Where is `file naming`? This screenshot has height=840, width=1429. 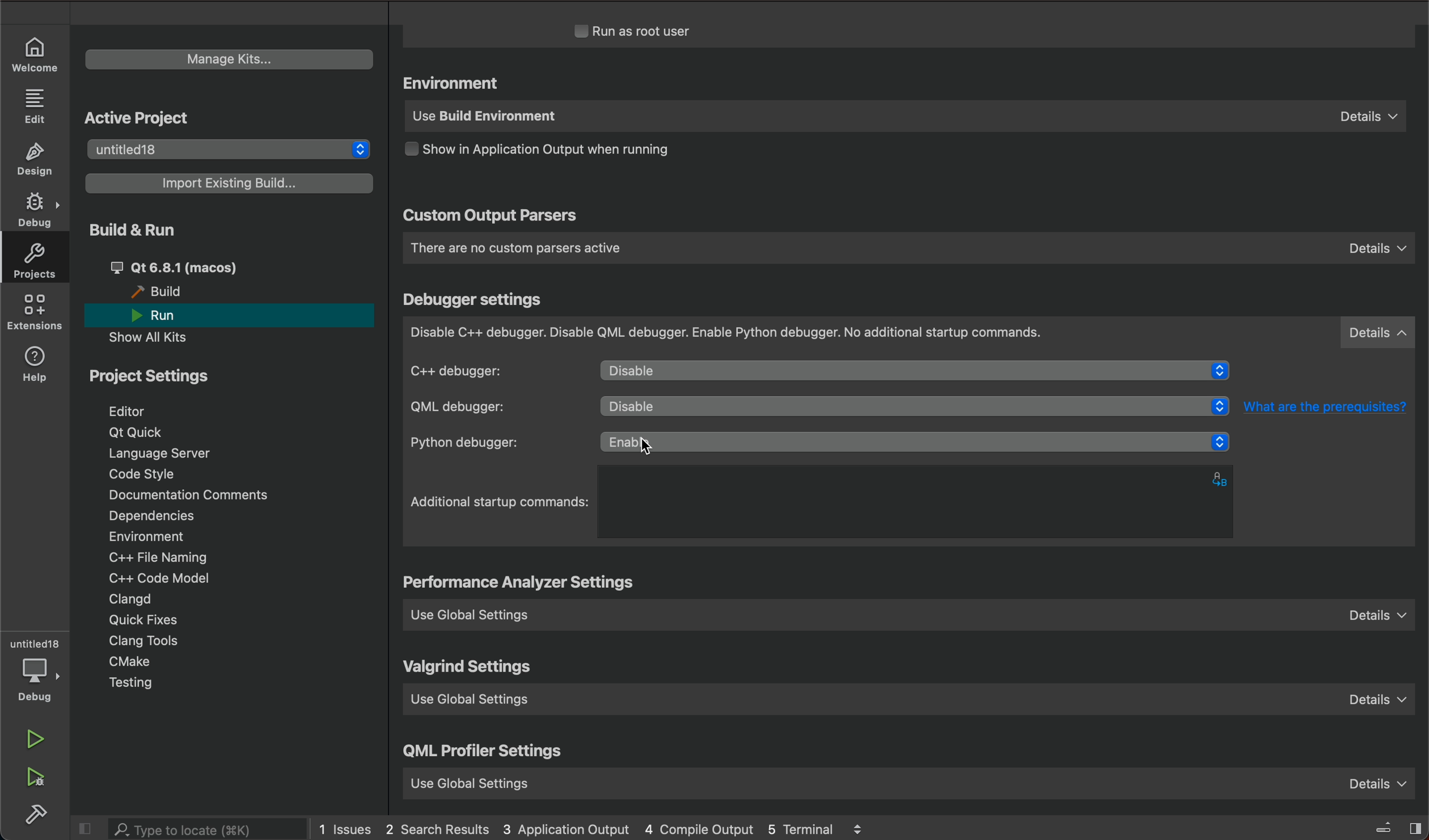
file naming is located at coordinates (164, 559).